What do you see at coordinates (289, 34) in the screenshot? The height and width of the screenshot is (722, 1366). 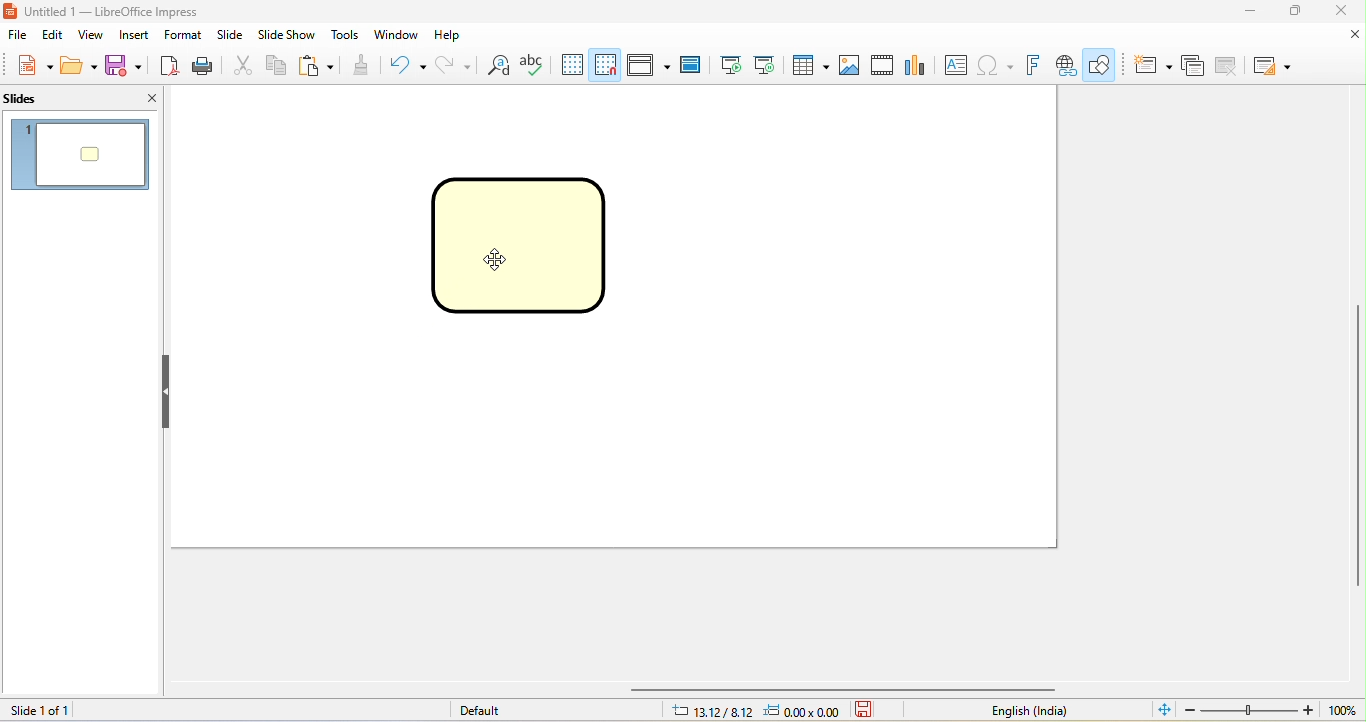 I see `slide show` at bounding box center [289, 34].